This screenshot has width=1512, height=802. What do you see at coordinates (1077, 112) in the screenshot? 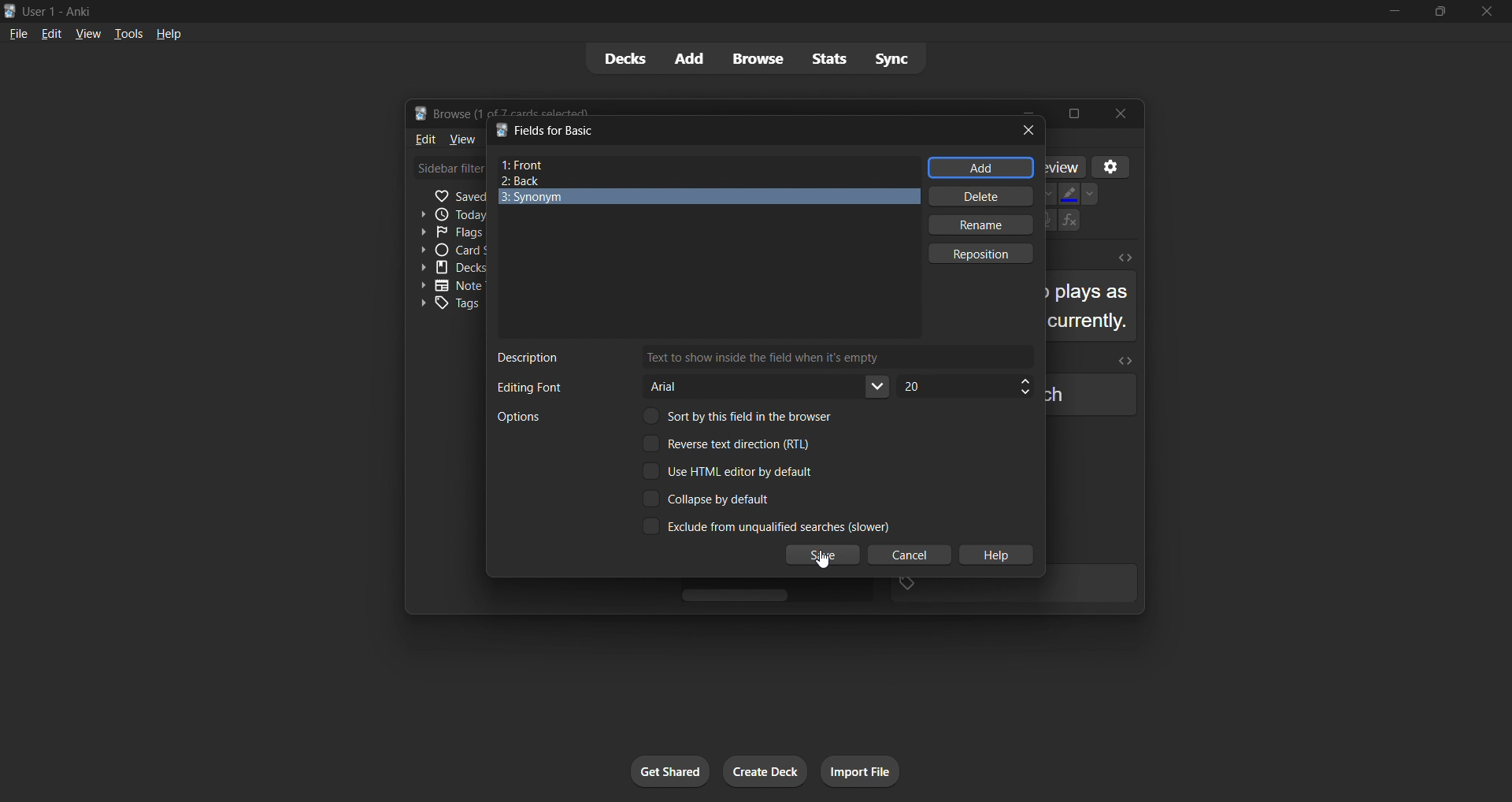
I see `Maximize` at bounding box center [1077, 112].